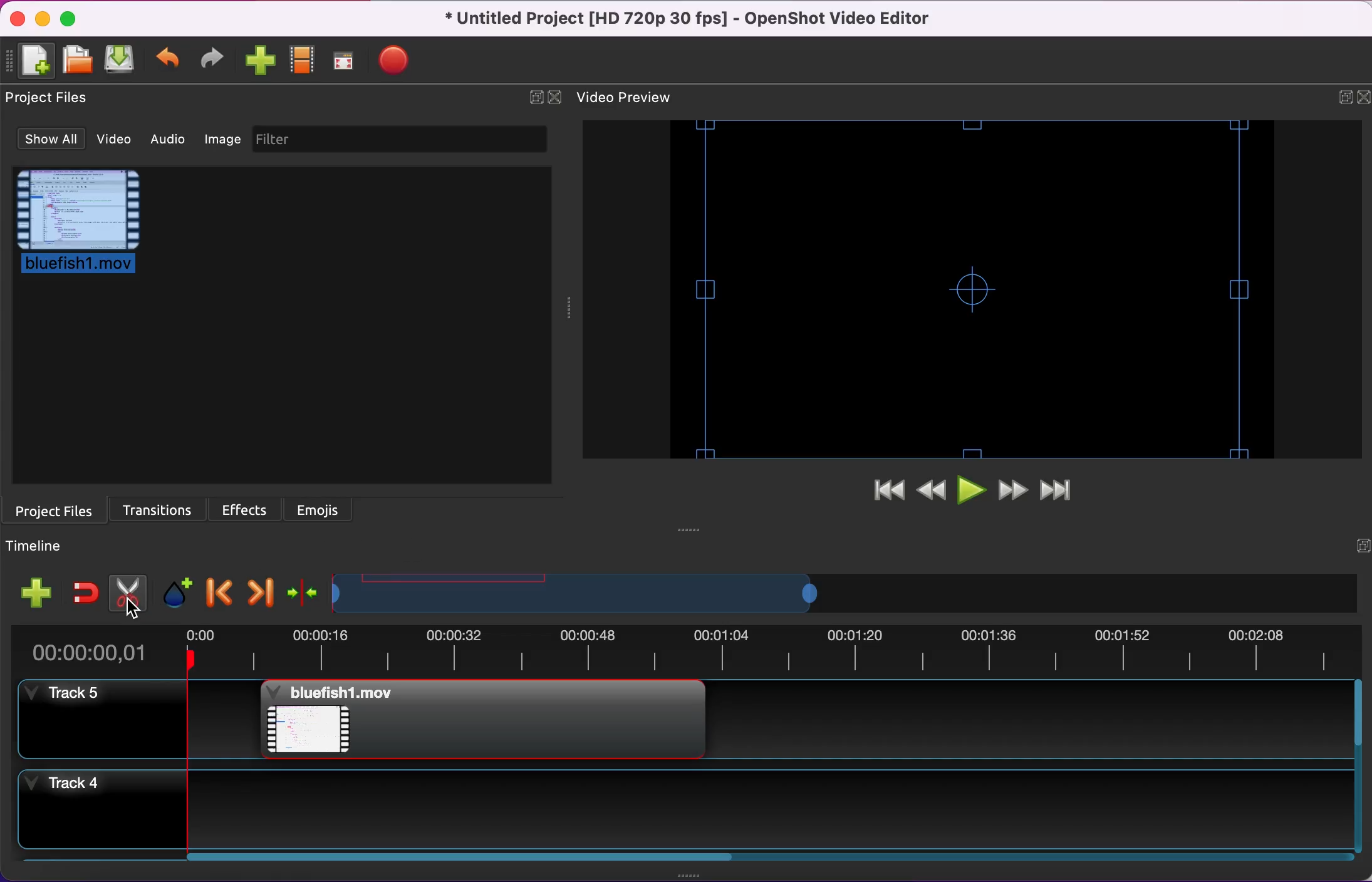 Image resolution: width=1372 pixels, height=882 pixels. Describe the element at coordinates (125, 591) in the screenshot. I see `cut` at that location.